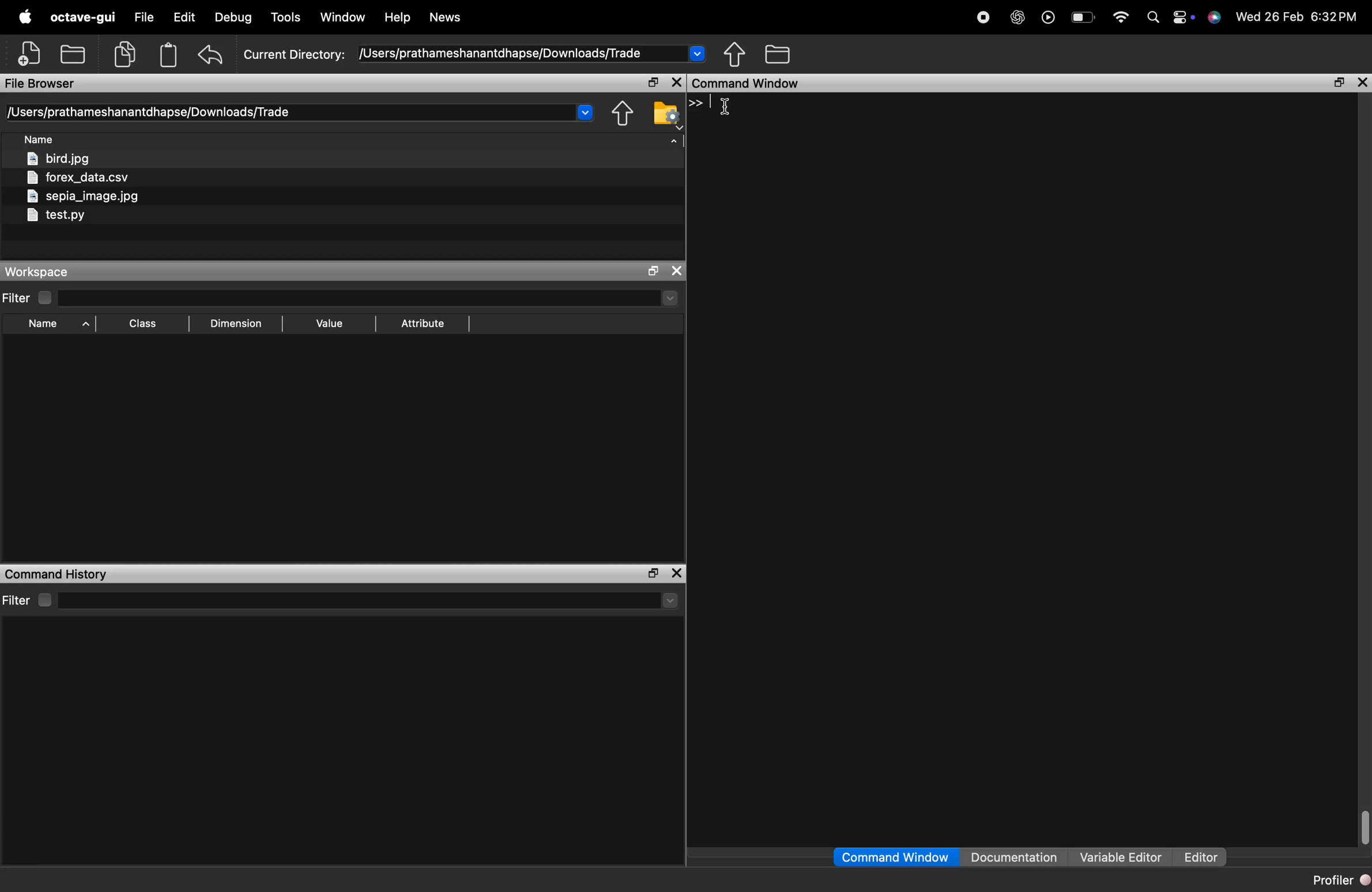 The height and width of the screenshot is (892, 1372). Describe the element at coordinates (1121, 17) in the screenshot. I see `wifi` at that location.